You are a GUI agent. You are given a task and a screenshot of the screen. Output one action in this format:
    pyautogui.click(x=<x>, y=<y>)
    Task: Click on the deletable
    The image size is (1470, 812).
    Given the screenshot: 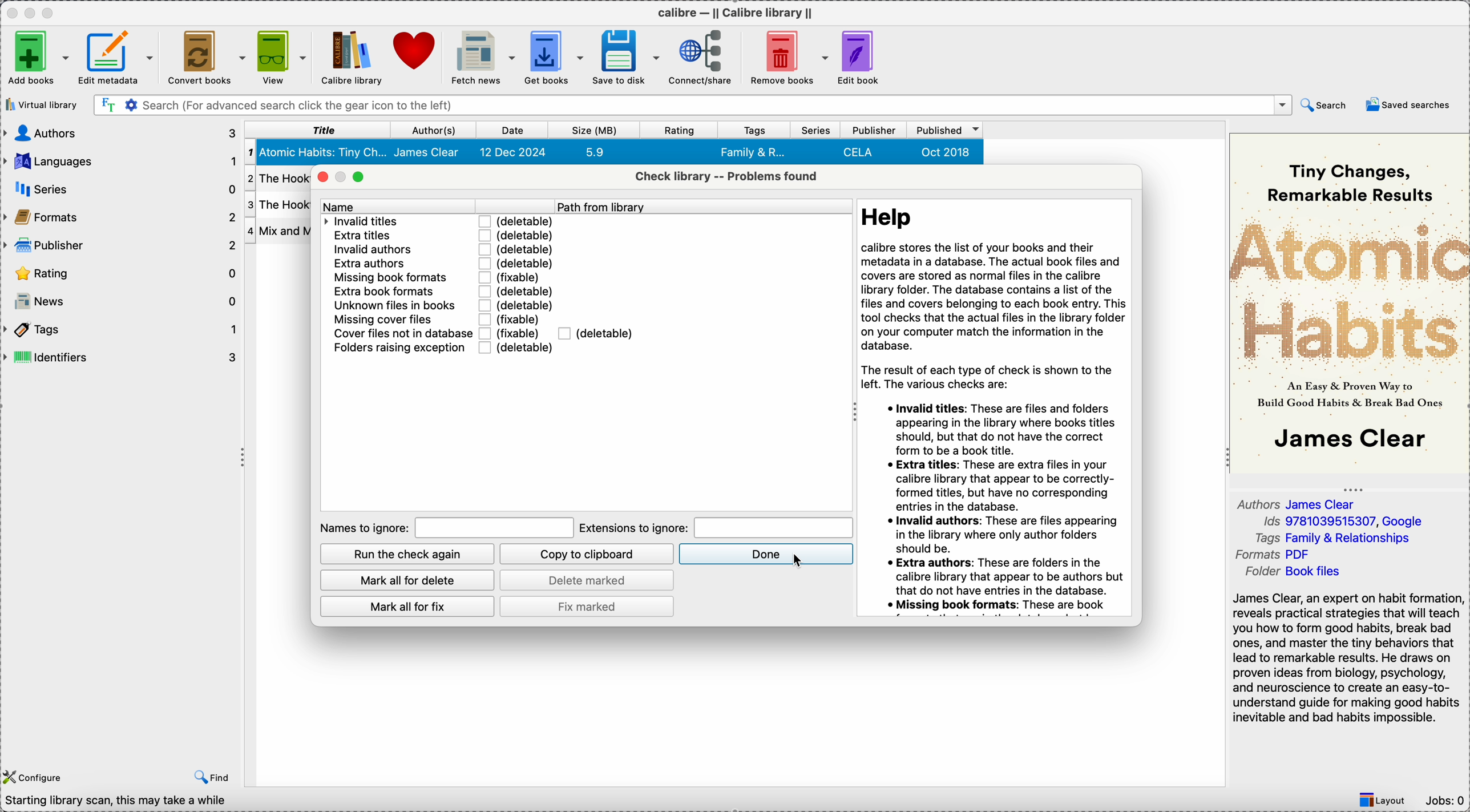 What is the action you would take?
    pyautogui.click(x=596, y=333)
    